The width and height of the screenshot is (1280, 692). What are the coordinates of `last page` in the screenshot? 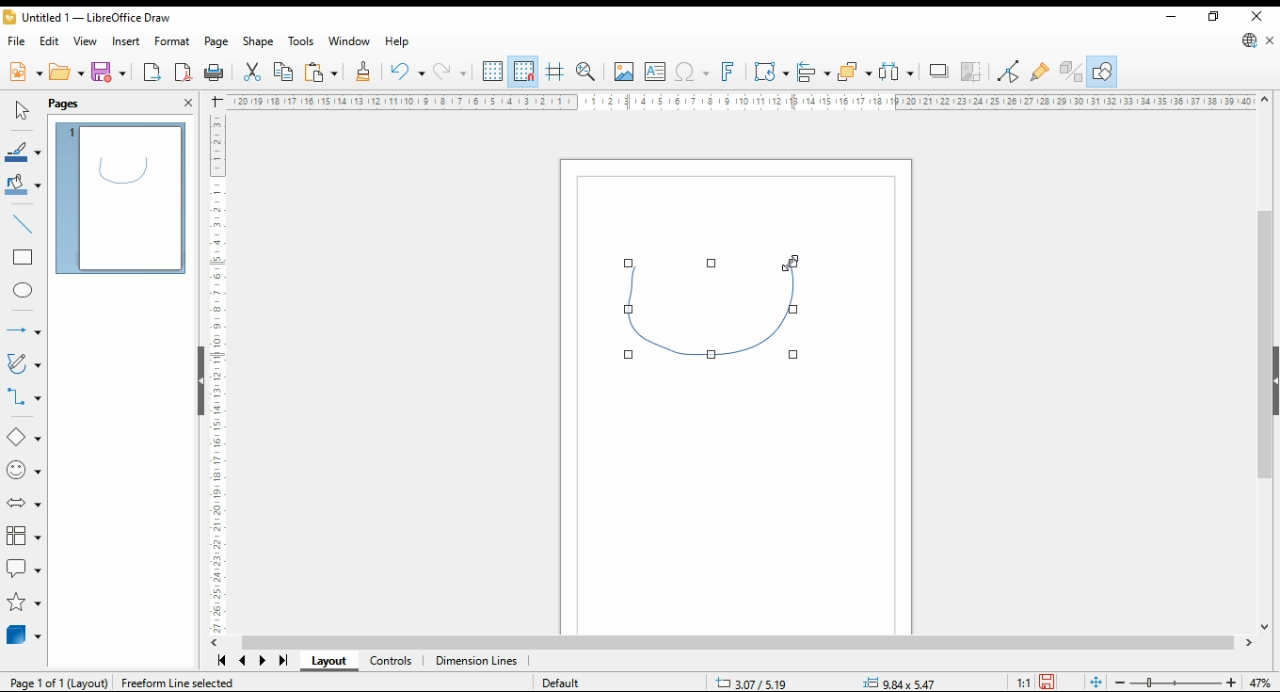 It's located at (282, 662).